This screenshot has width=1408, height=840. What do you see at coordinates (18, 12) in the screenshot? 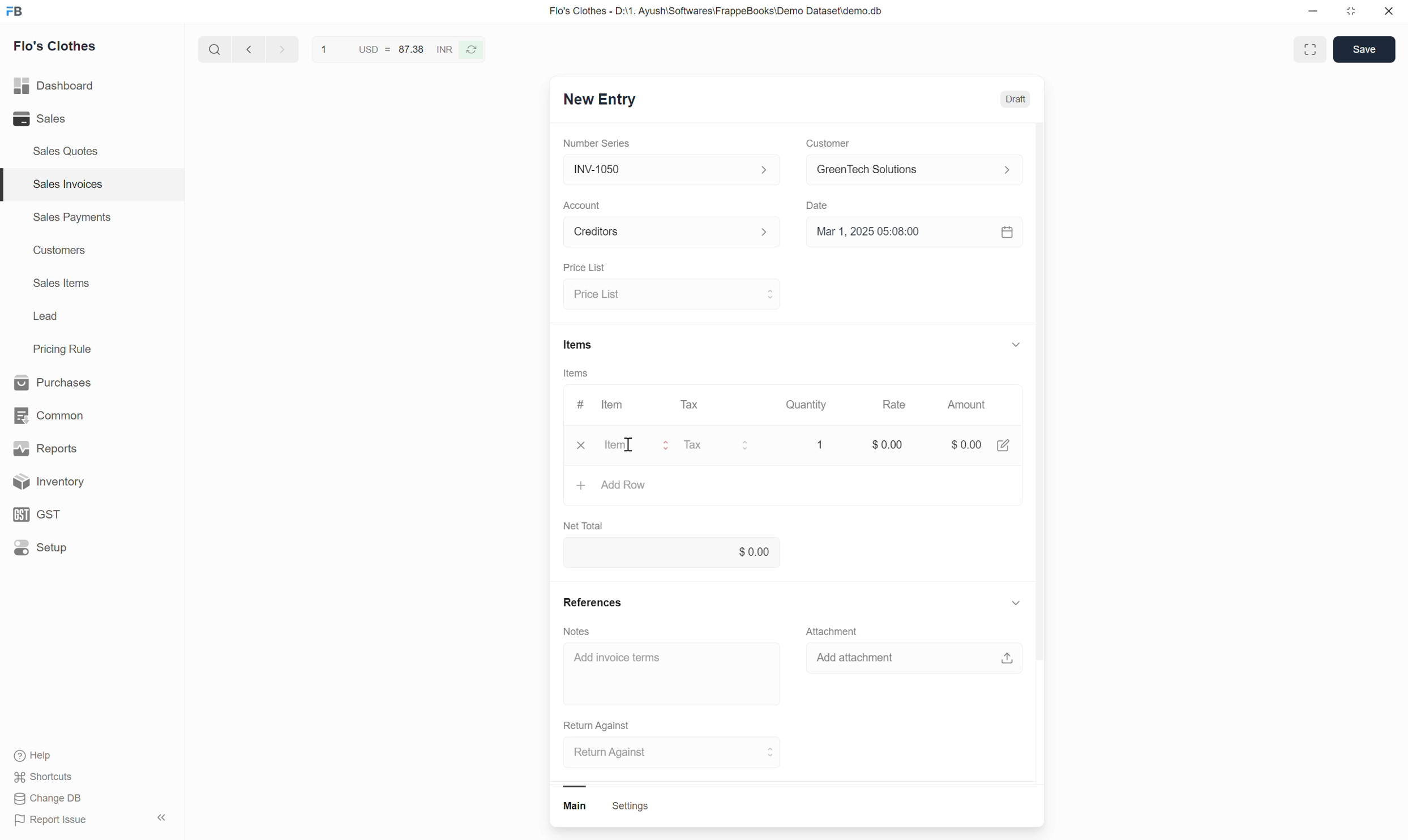
I see `Frappe Book logo` at bounding box center [18, 12].